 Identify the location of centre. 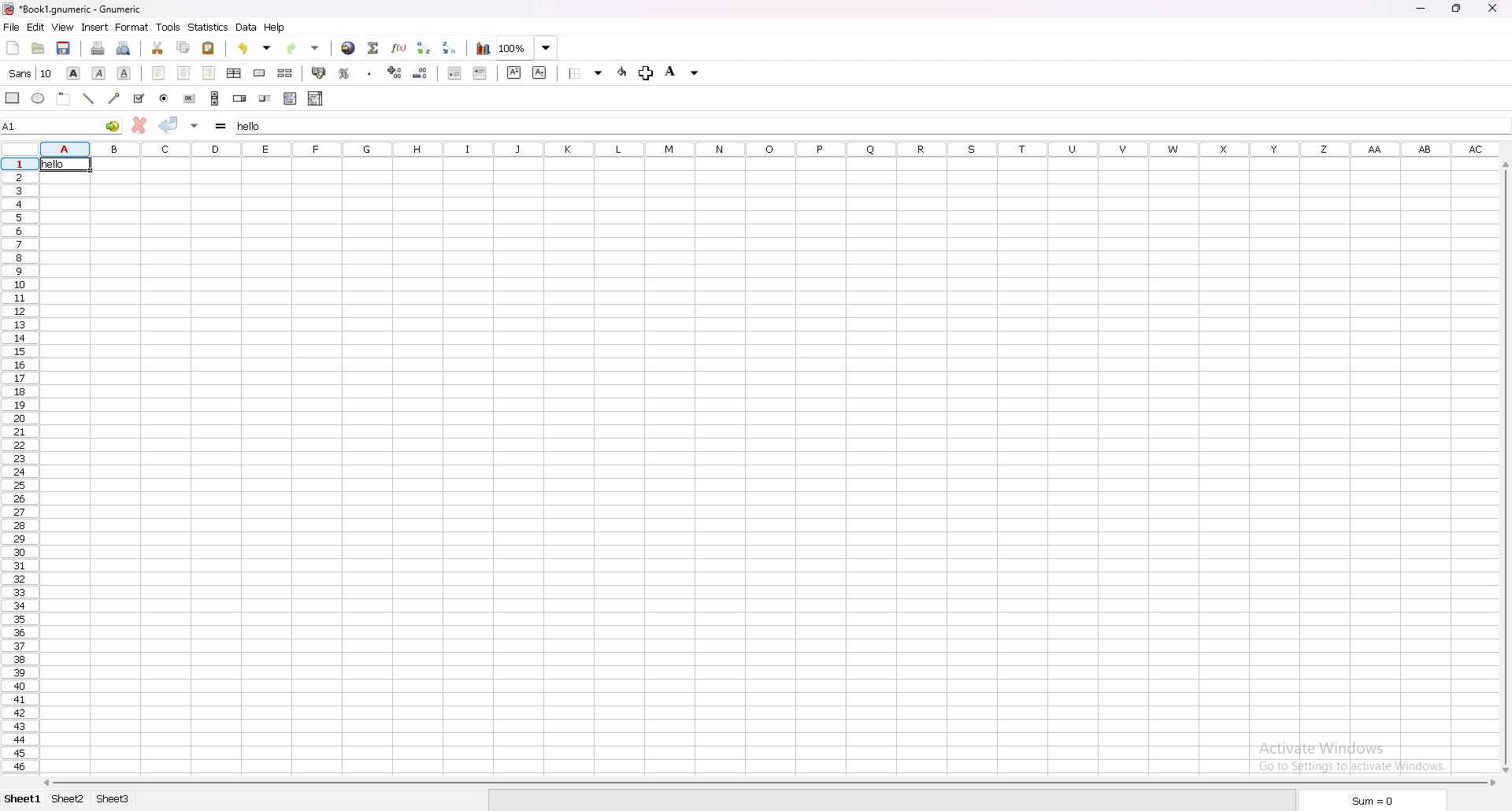
(184, 73).